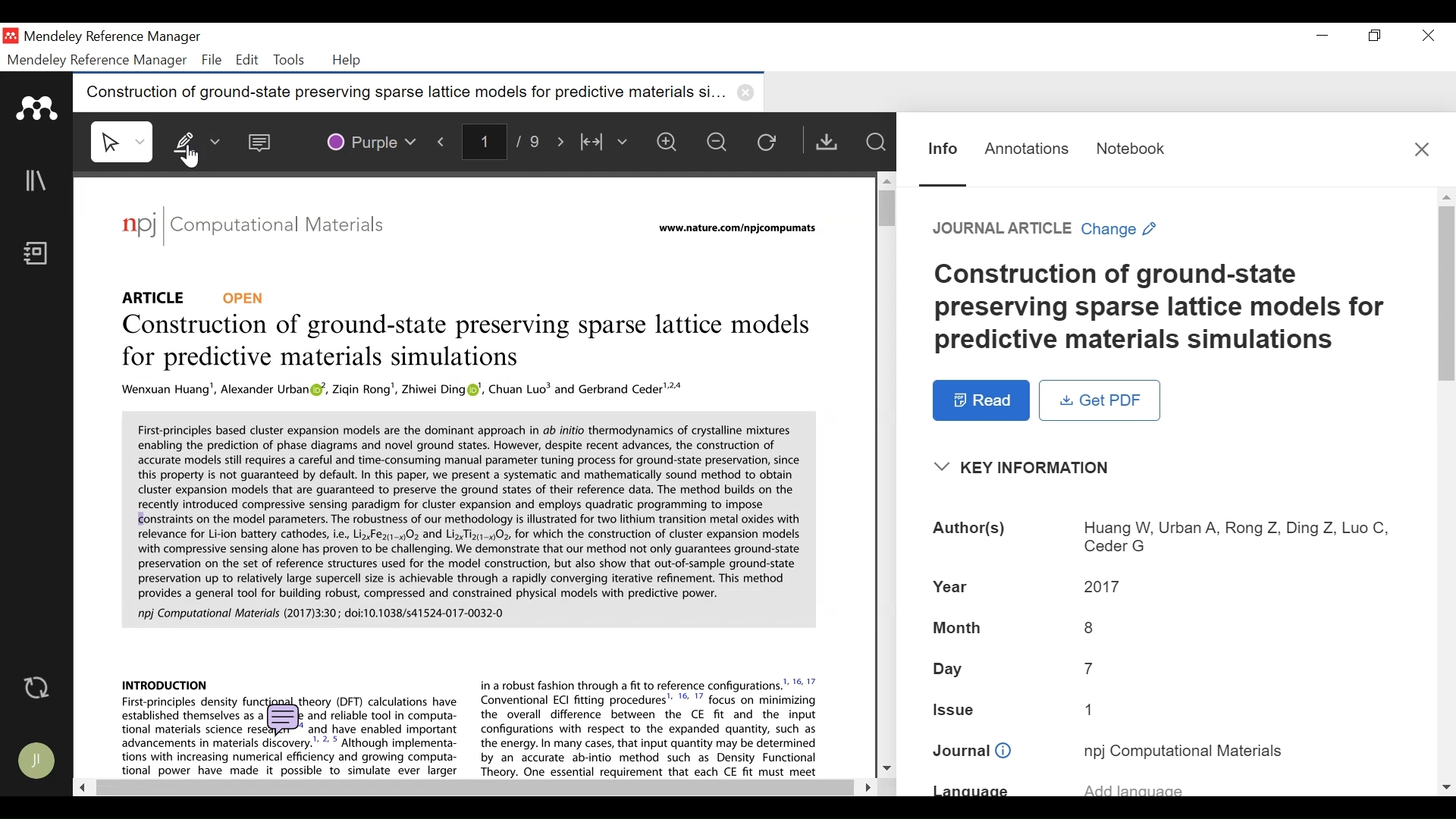 This screenshot has height=819, width=1456. I want to click on Get PDF, so click(1100, 400).